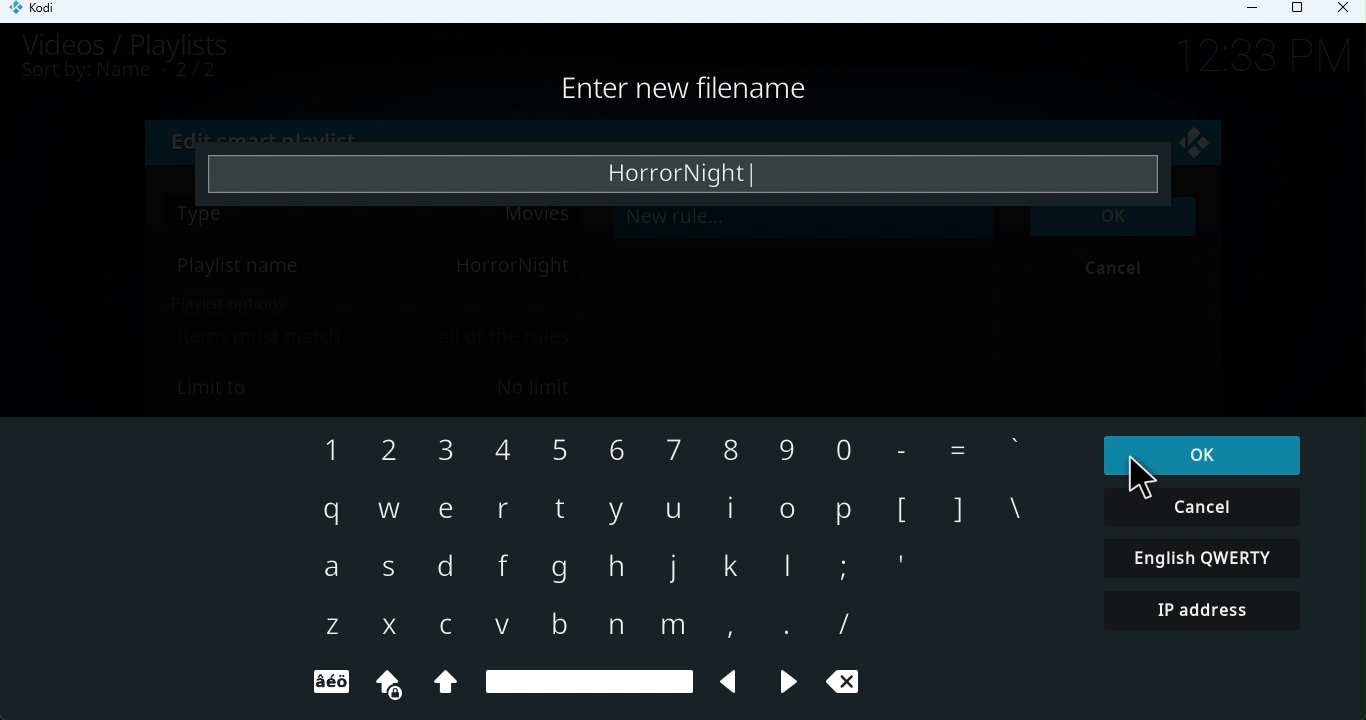 The width and height of the screenshot is (1366, 720). Describe the element at coordinates (40, 12) in the screenshot. I see `Kodi icon` at that location.